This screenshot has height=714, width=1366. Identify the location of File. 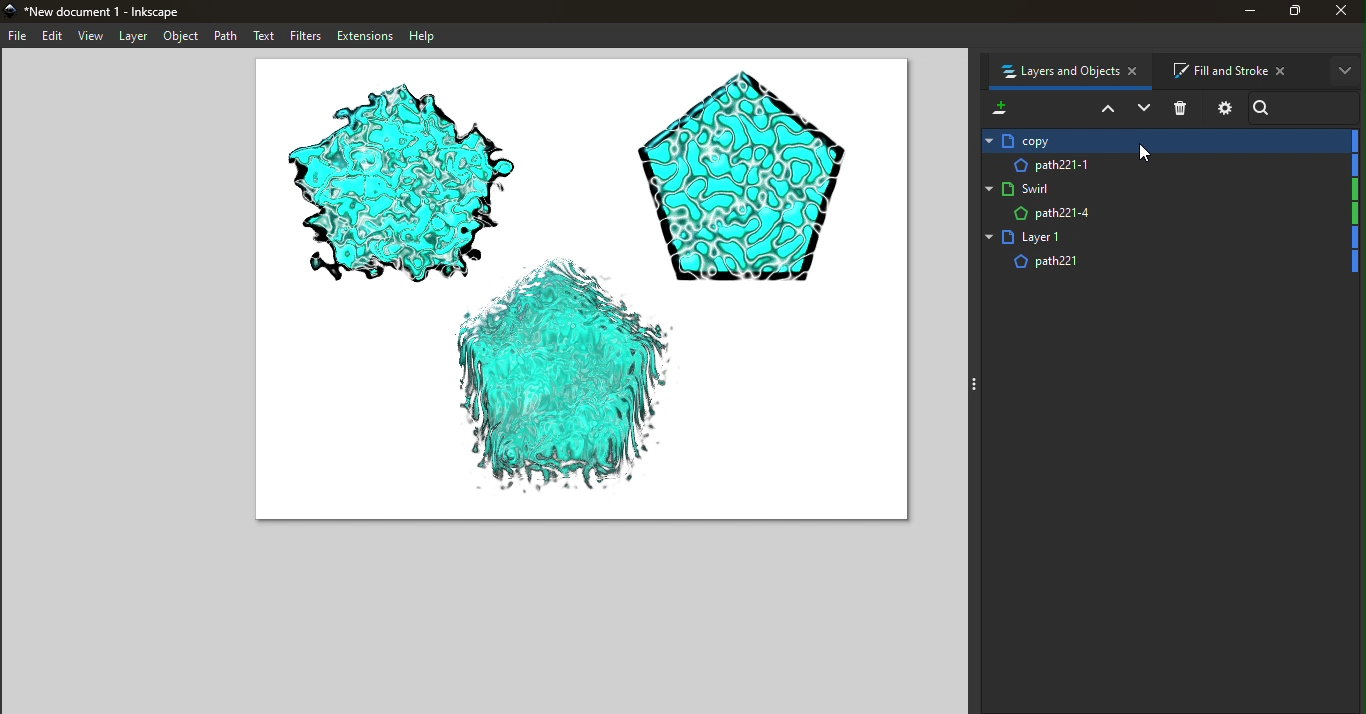
(18, 36).